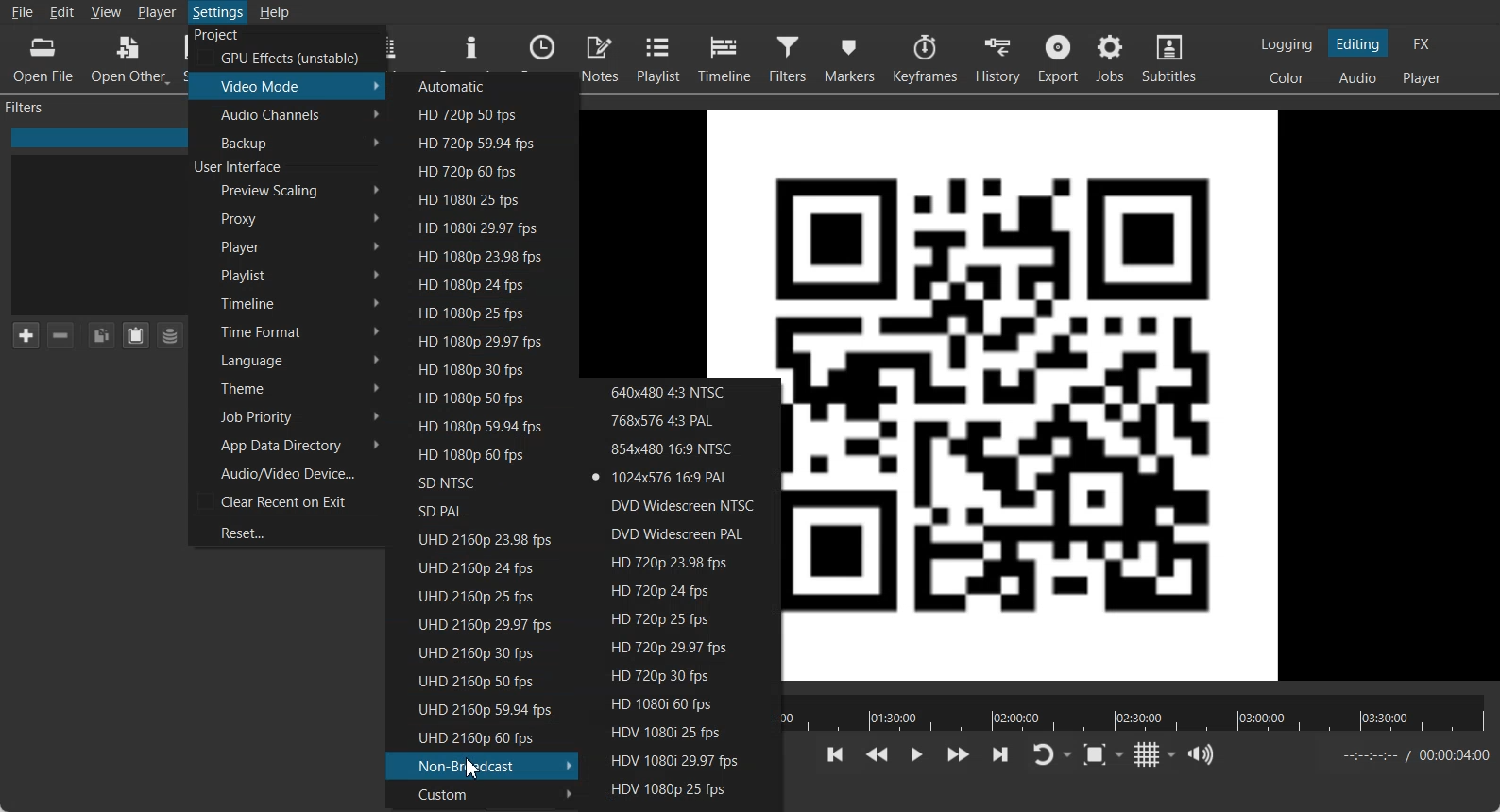  What do you see at coordinates (475, 538) in the screenshot?
I see `UHD 2160p 23.98 fps` at bounding box center [475, 538].